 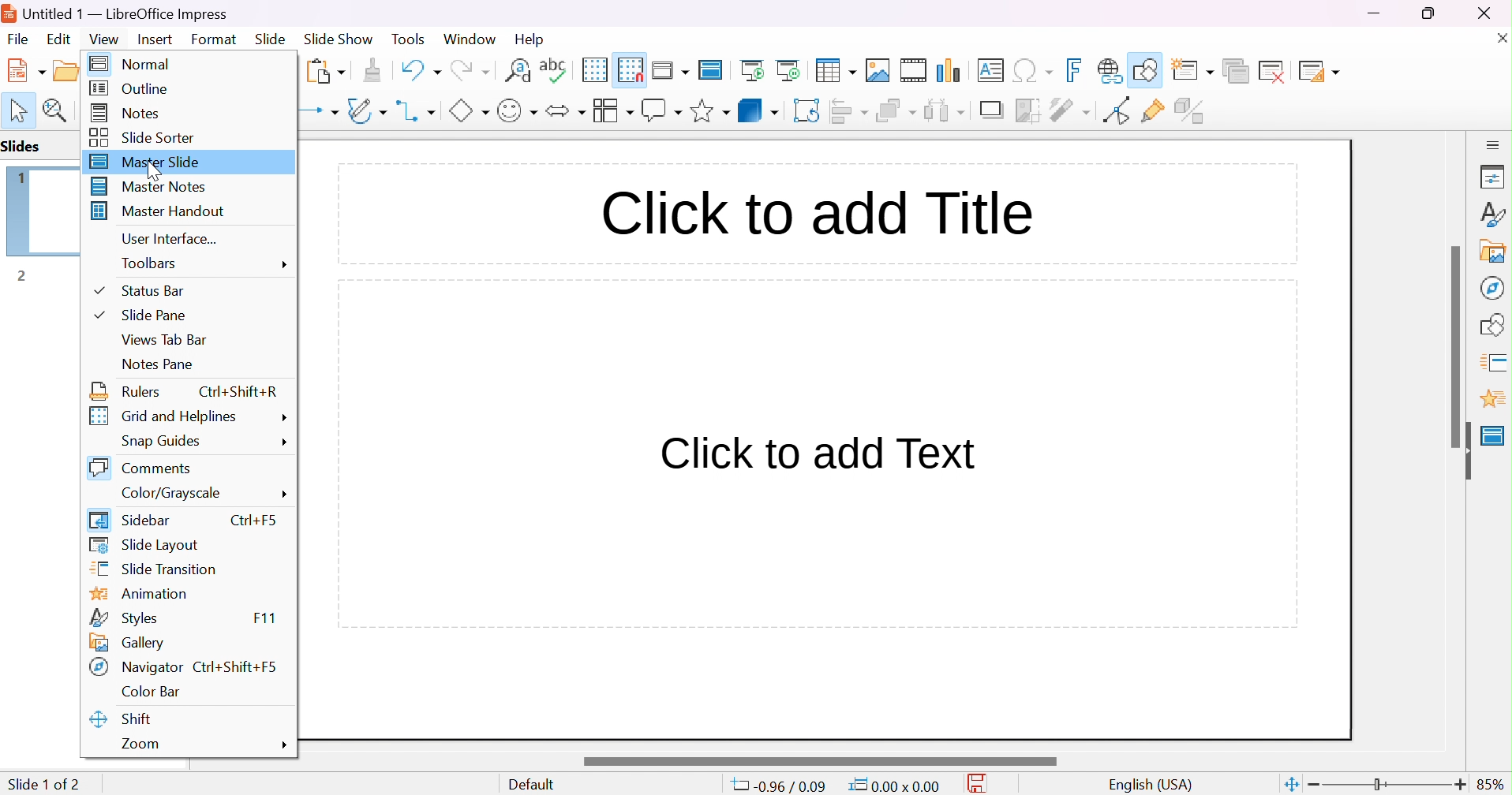 I want to click on outline, so click(x=128, y=88).